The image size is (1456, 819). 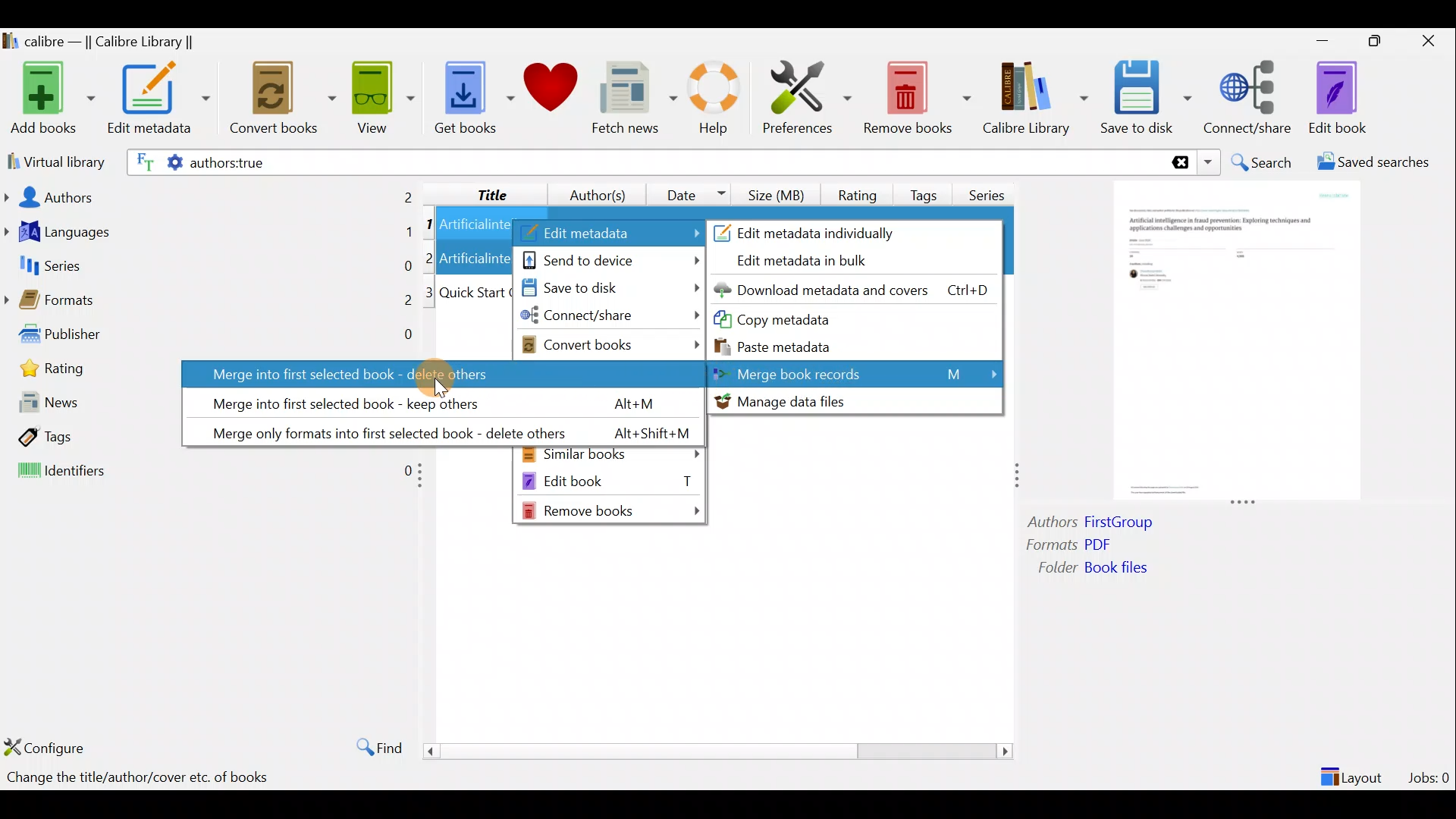 What do you see at coordinates (1018, 477) in the screenshot?
I see `Adjust column to the right` at bounding box center [1018, 477].